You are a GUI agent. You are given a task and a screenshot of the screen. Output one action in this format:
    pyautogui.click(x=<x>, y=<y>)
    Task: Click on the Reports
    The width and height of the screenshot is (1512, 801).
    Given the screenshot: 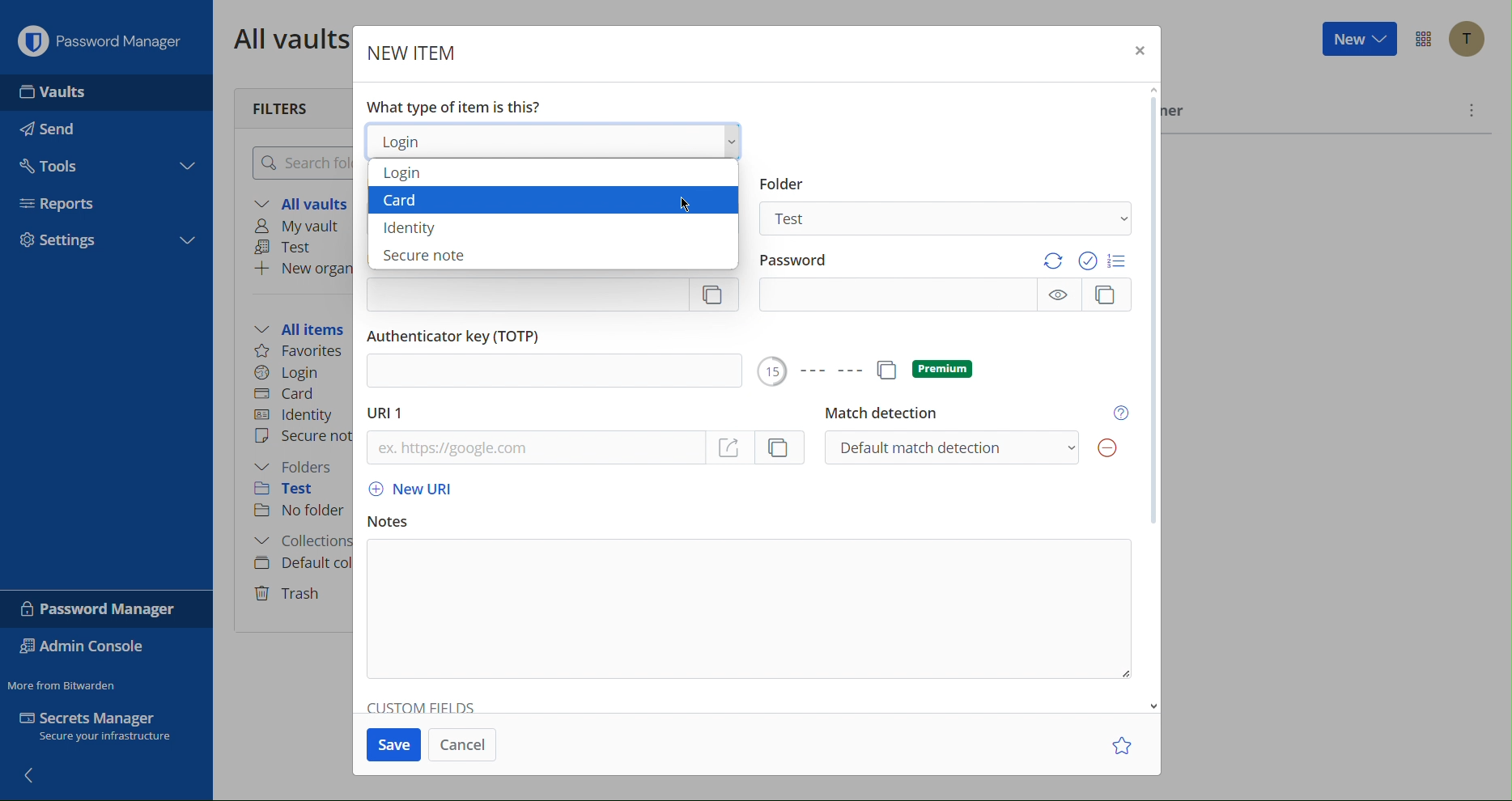 What is the action you would take?
    pyautogui.click(x=77, y=202)
    